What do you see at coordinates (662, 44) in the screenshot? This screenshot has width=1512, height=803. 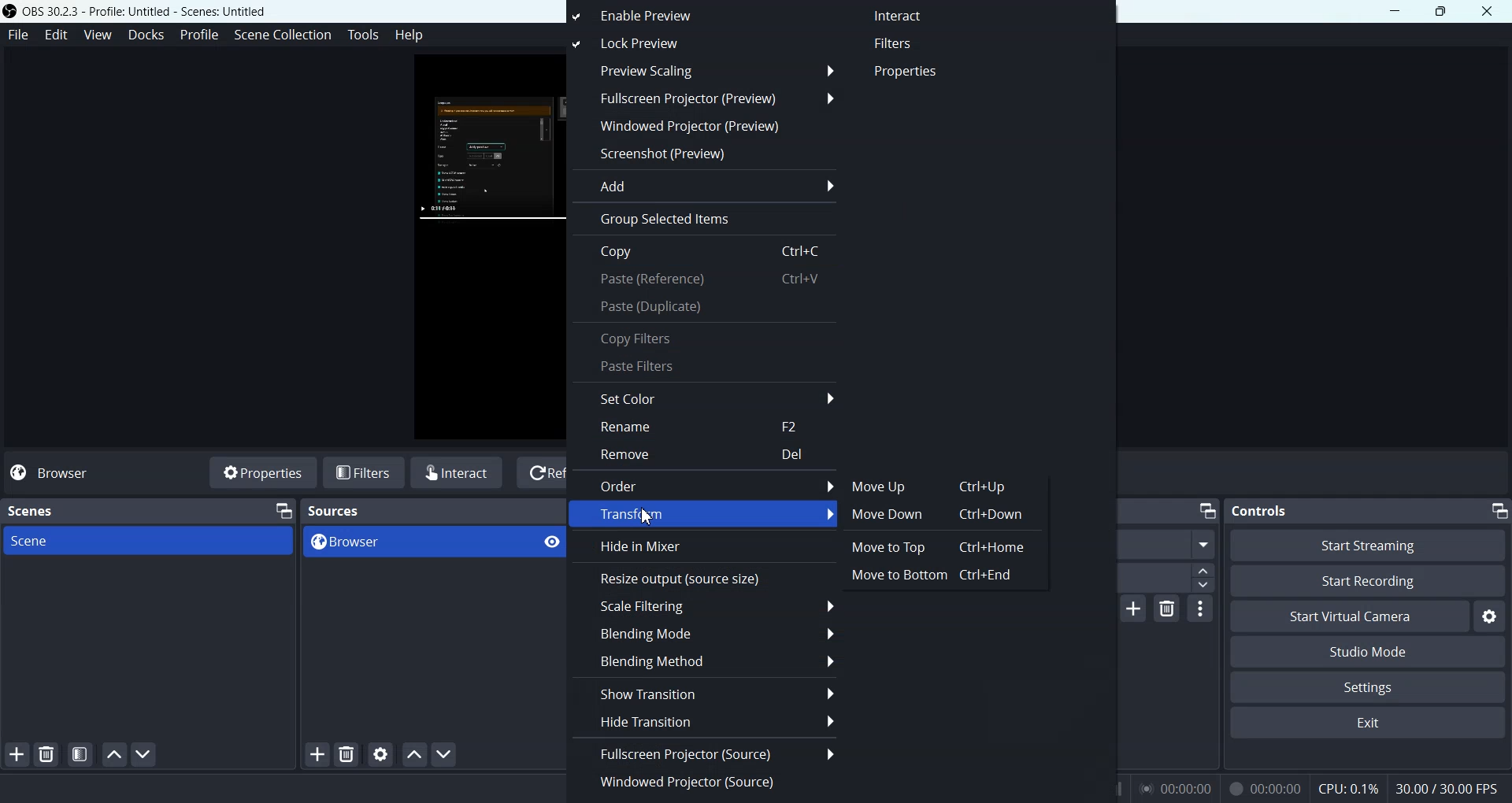 I see `Lock Preview` at bounding box center [662, 44].